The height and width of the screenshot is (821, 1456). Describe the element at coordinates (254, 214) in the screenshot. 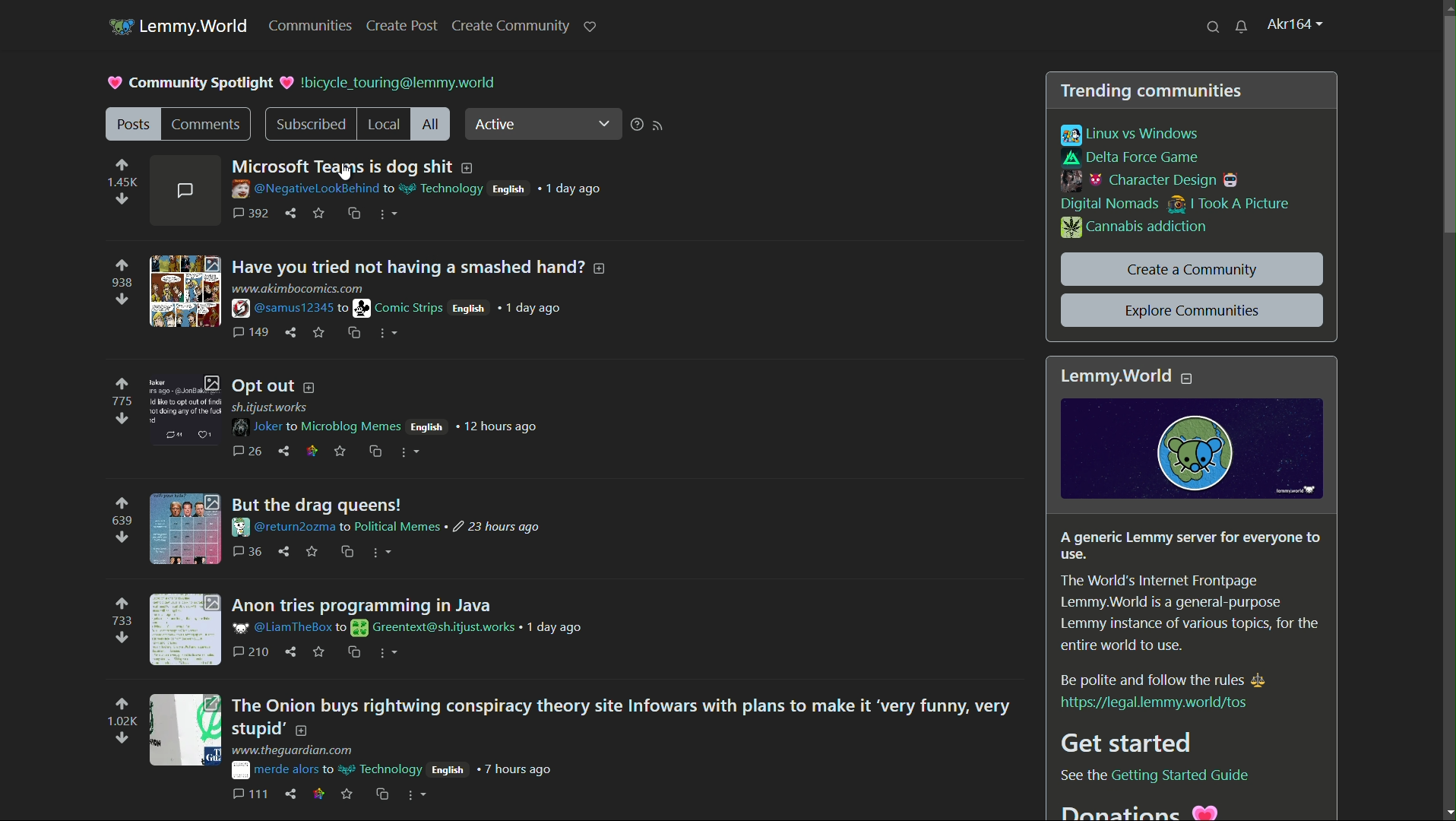

I see `comments` at that location.